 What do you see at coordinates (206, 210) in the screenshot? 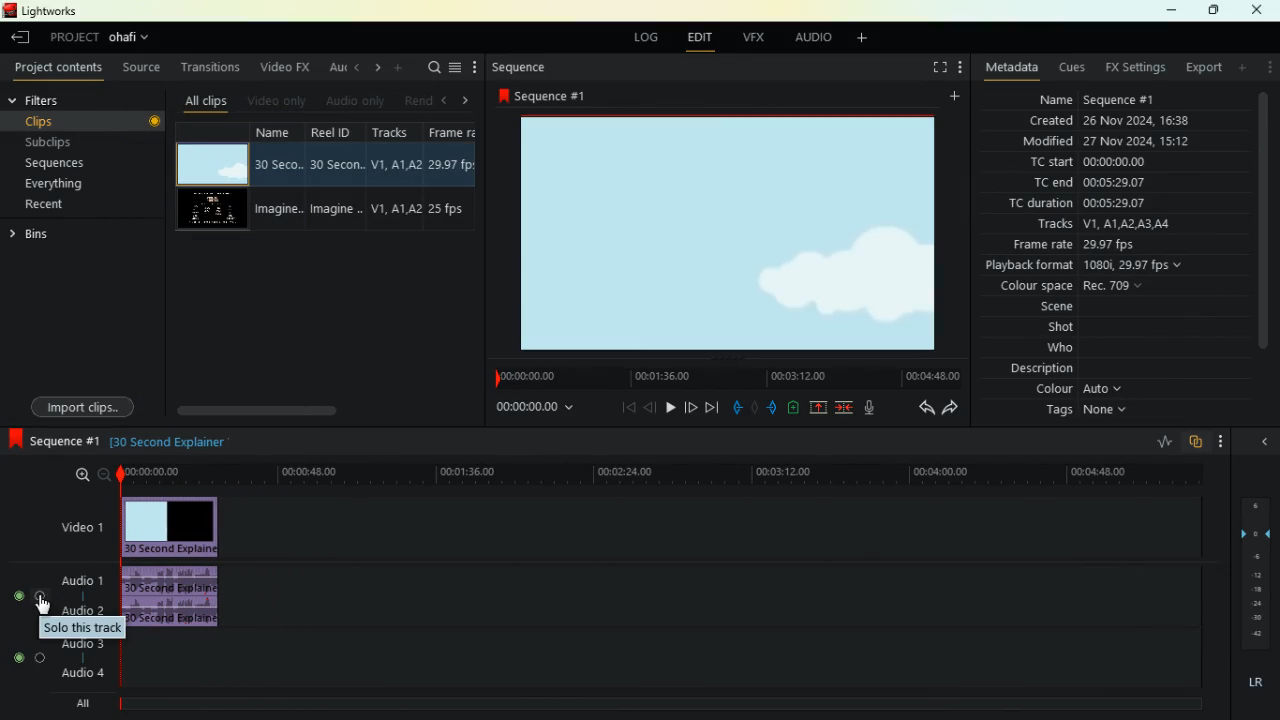
I see `video` at bounding box center [206, 210].